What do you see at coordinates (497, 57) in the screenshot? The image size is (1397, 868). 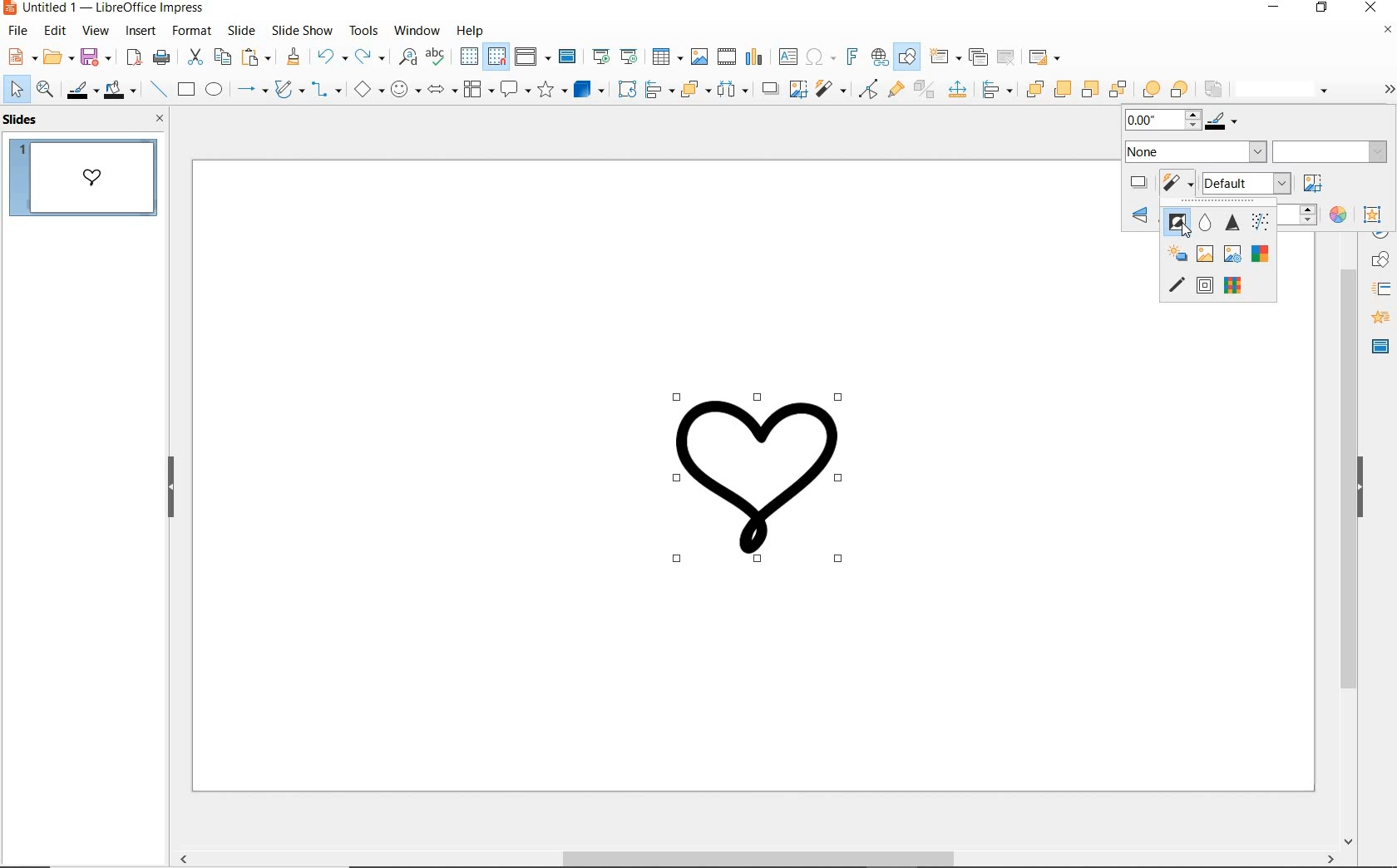 I see `snap to grid` at bounding box center [497, 57].